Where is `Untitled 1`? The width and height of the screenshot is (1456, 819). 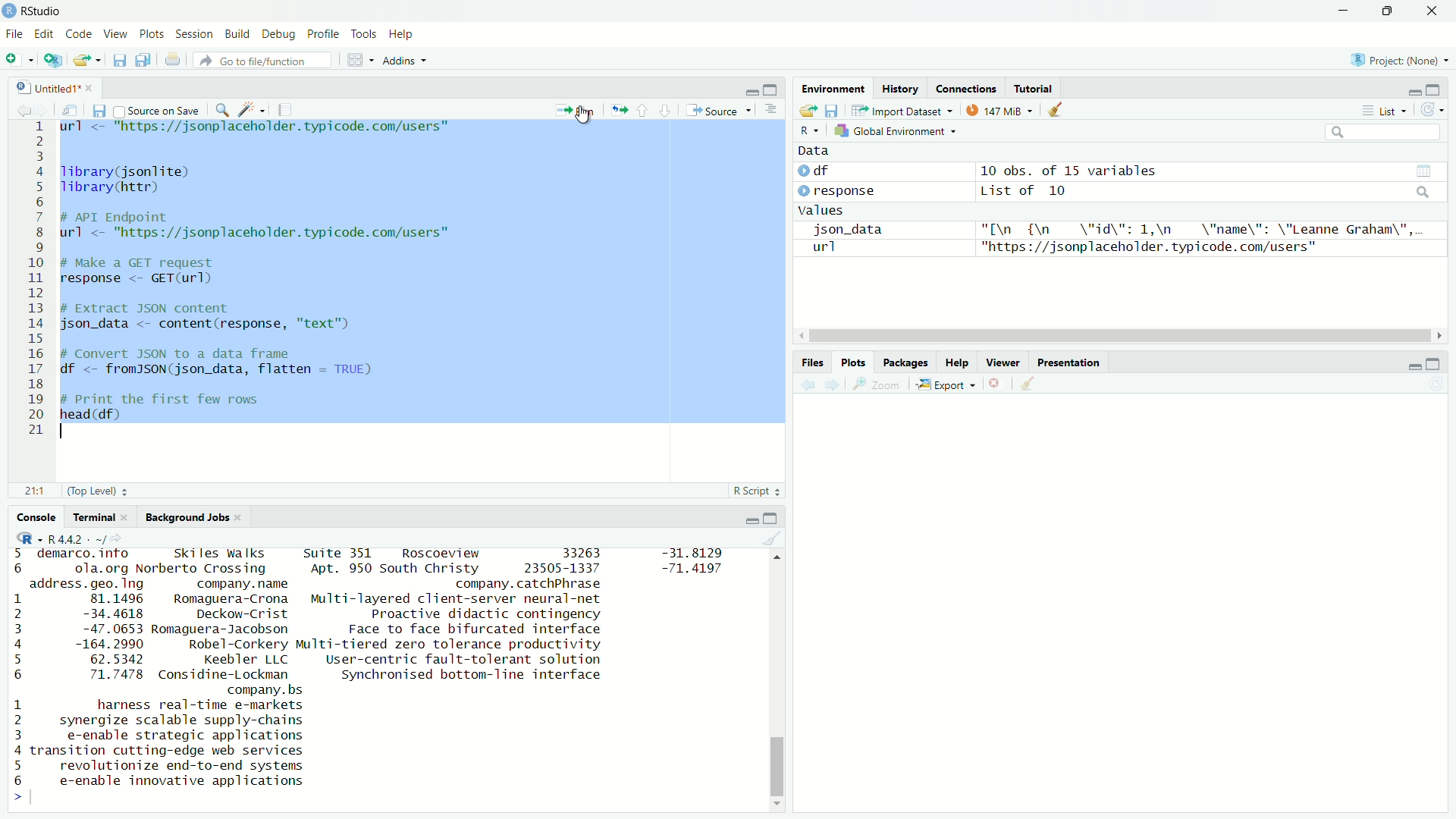 Untitled 1 is located at coordinates (55, 88).